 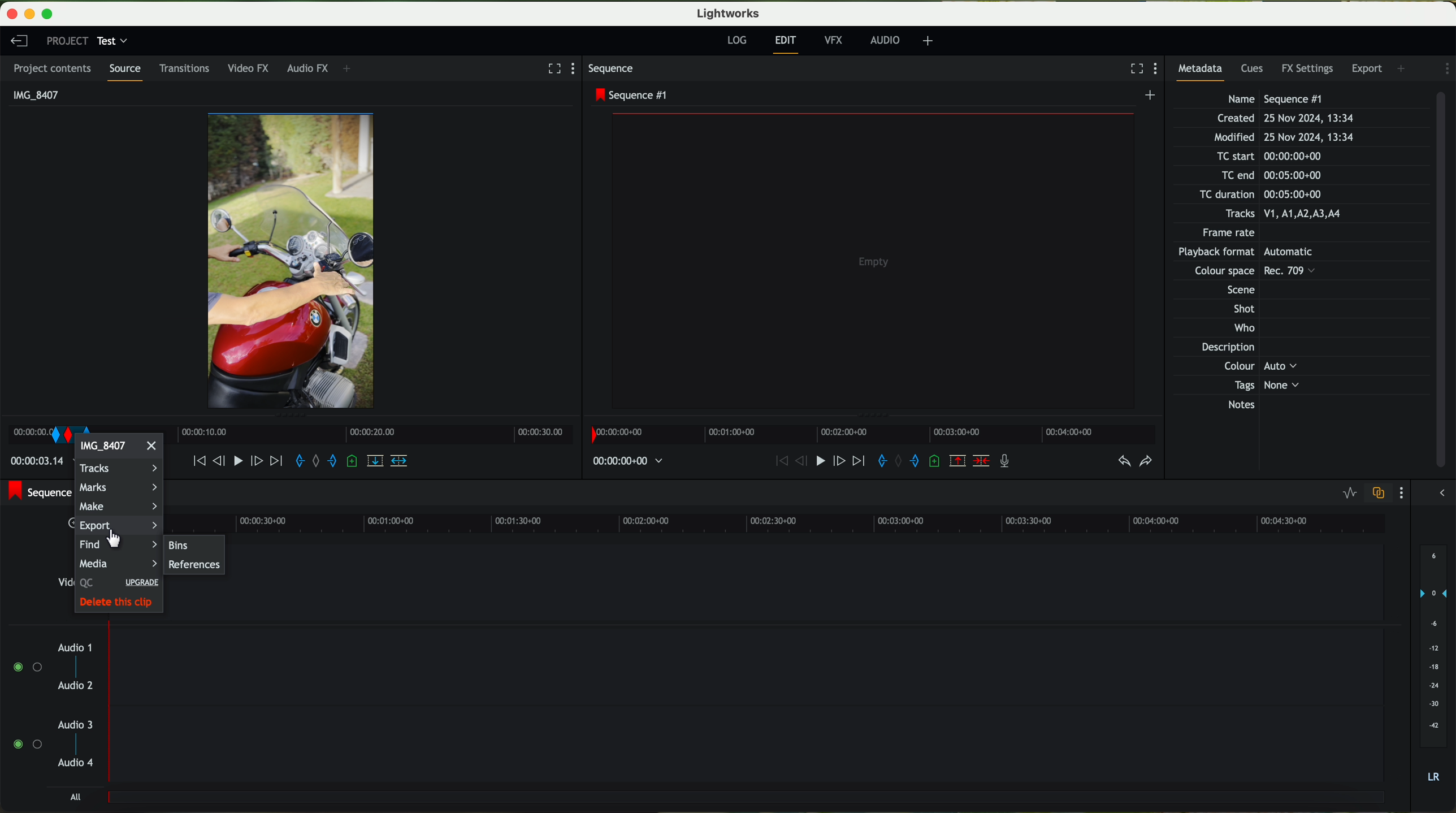 What do you see at coordinates (120, 449) in the screenshot?
I see `IMG_8407` at bounding box center [120, 449].